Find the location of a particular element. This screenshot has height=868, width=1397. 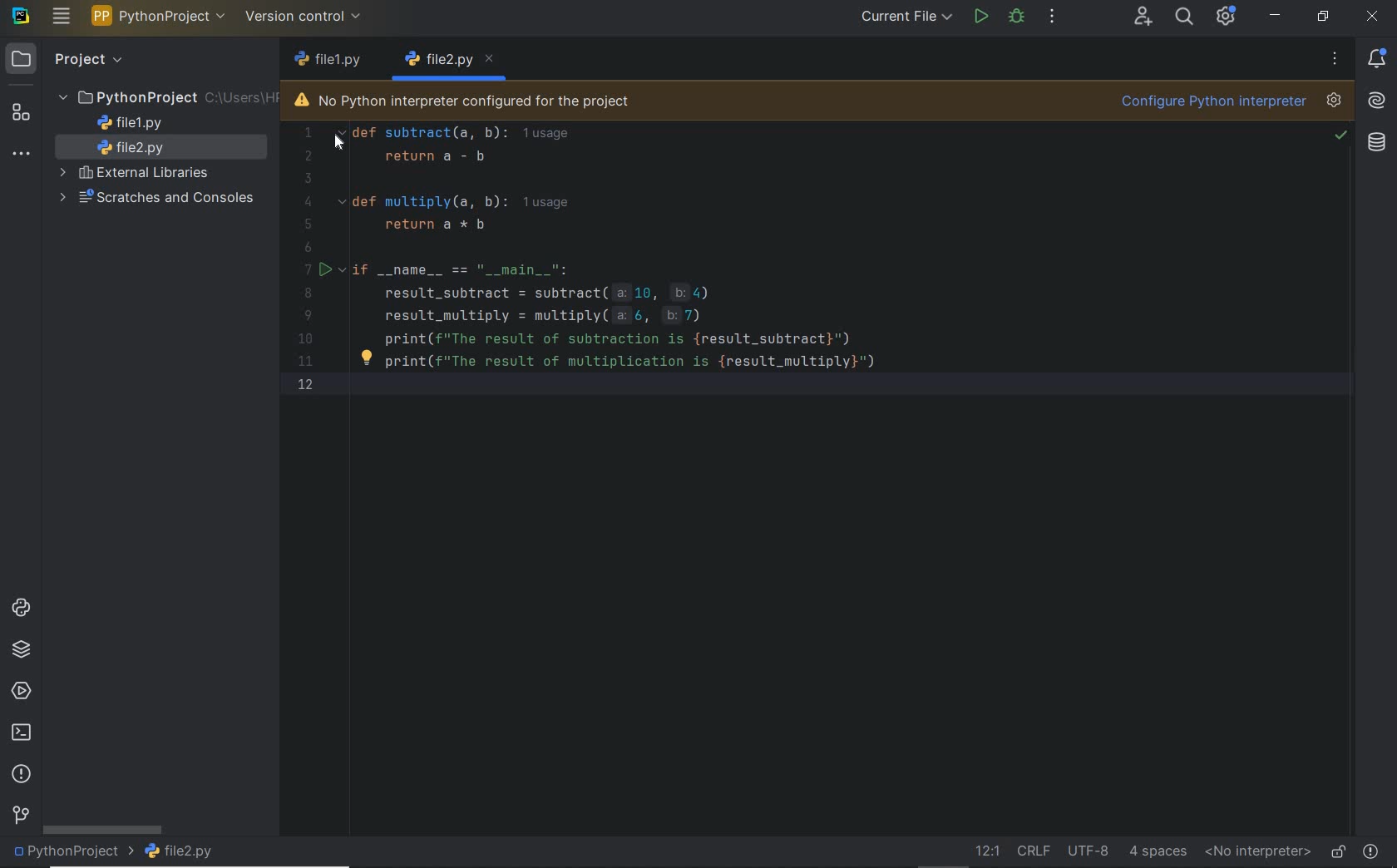

services is located at coordinates (19, 693).